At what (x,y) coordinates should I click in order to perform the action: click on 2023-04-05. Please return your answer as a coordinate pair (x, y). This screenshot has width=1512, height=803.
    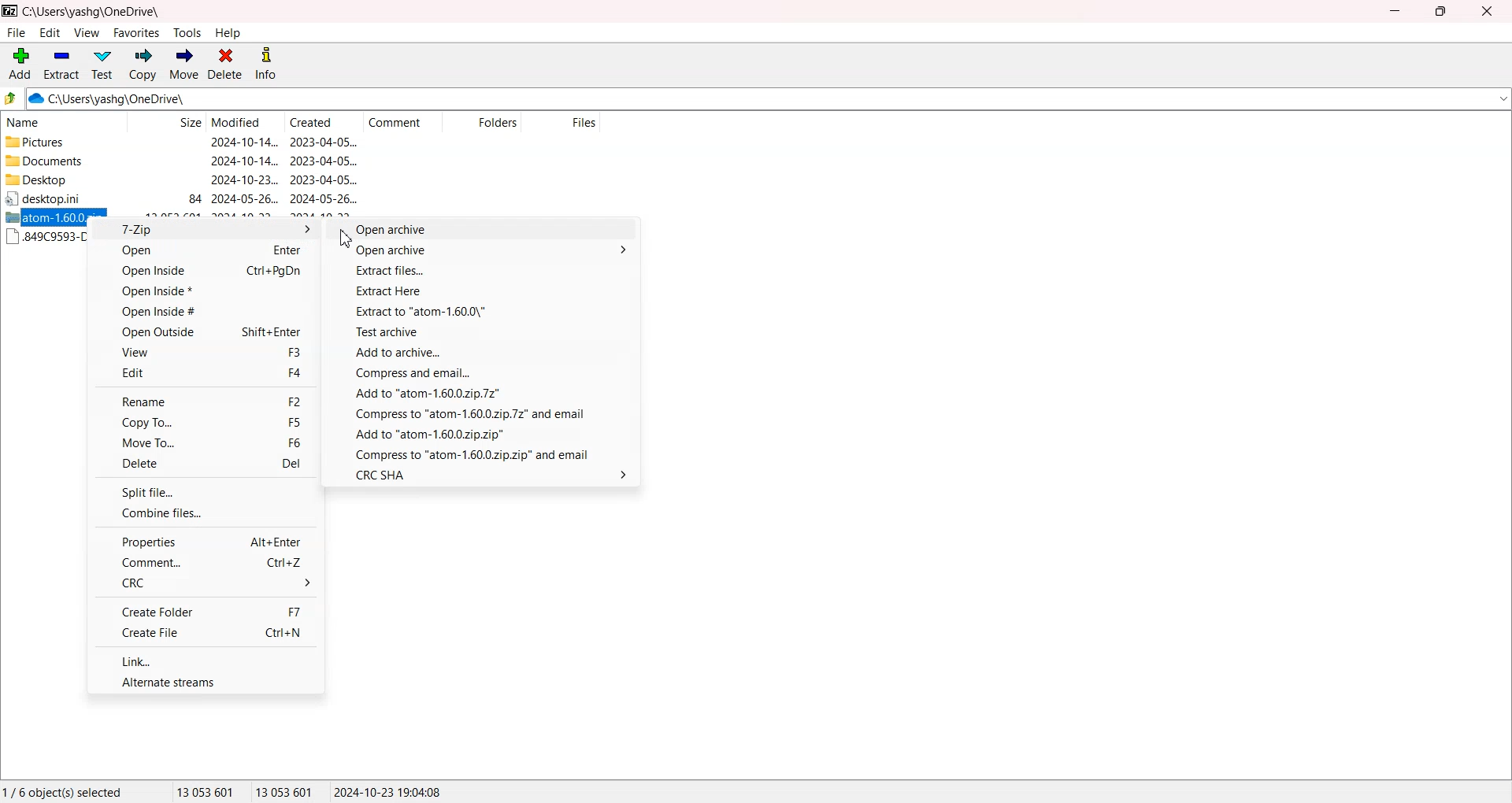
    Looking at the image, I should click on (324, 161).